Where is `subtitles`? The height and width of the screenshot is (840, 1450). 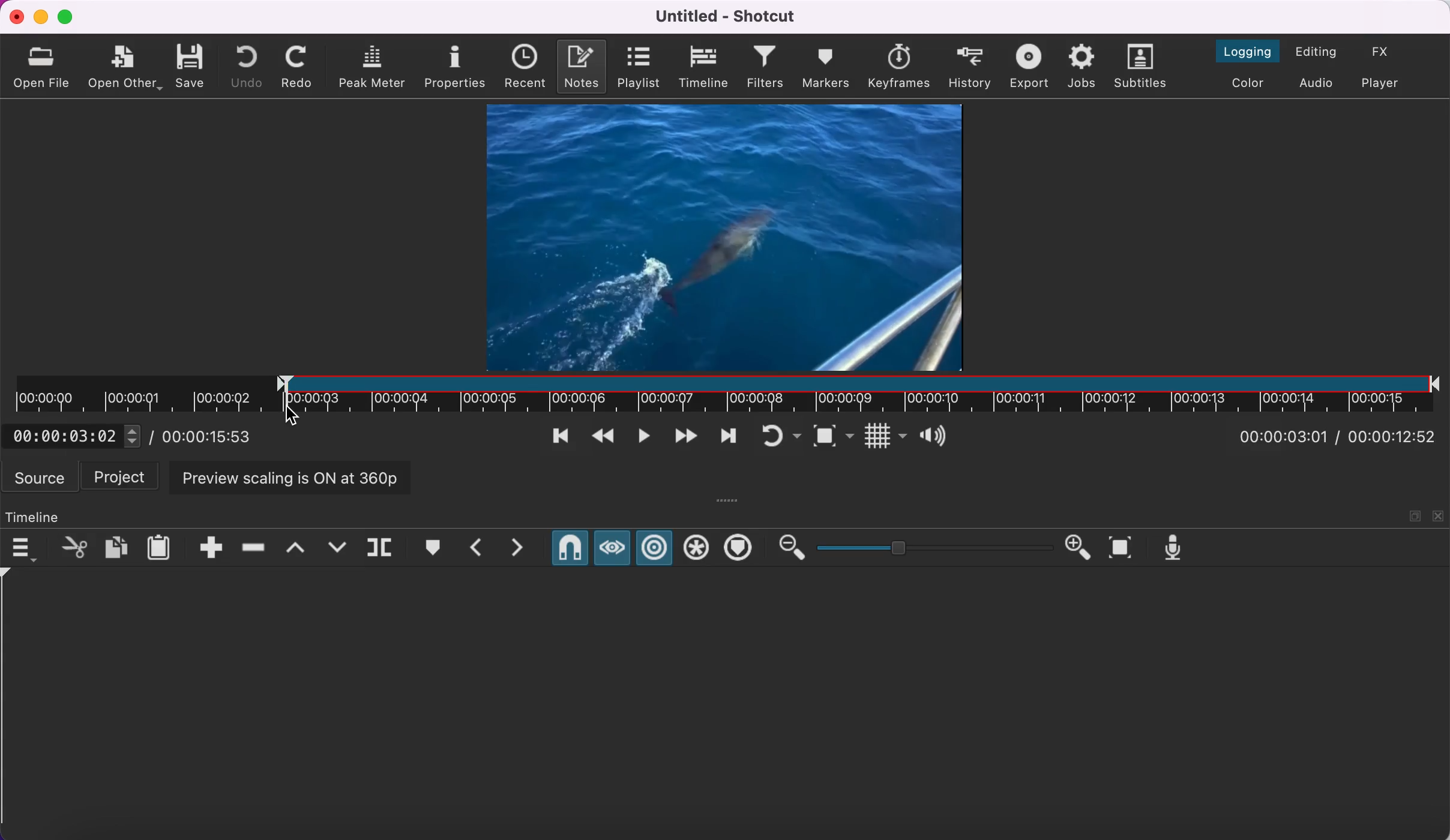 subtitles is located at coordinates (1145, 67).